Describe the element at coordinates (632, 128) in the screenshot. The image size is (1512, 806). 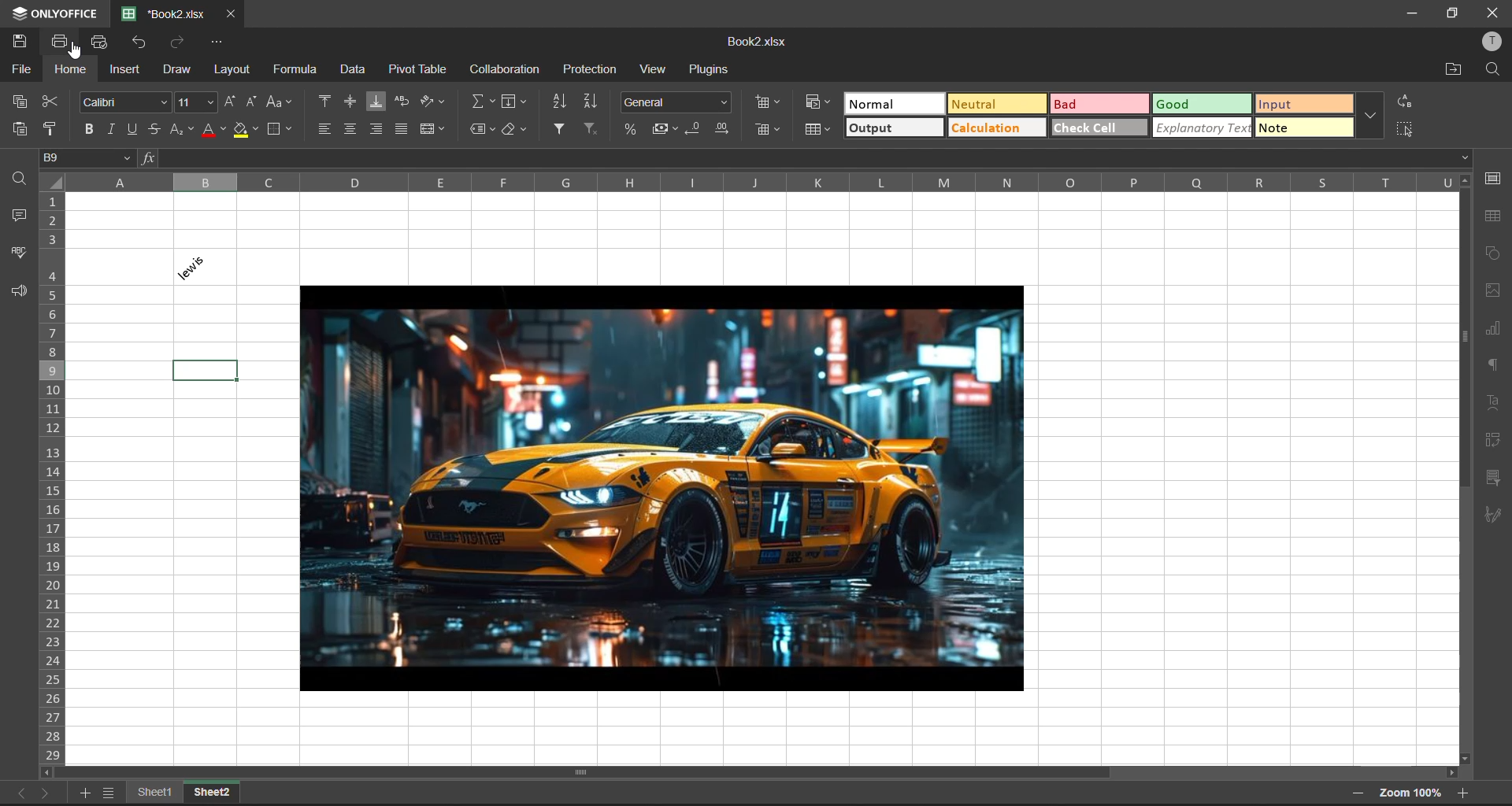
I see `percent` at that location.